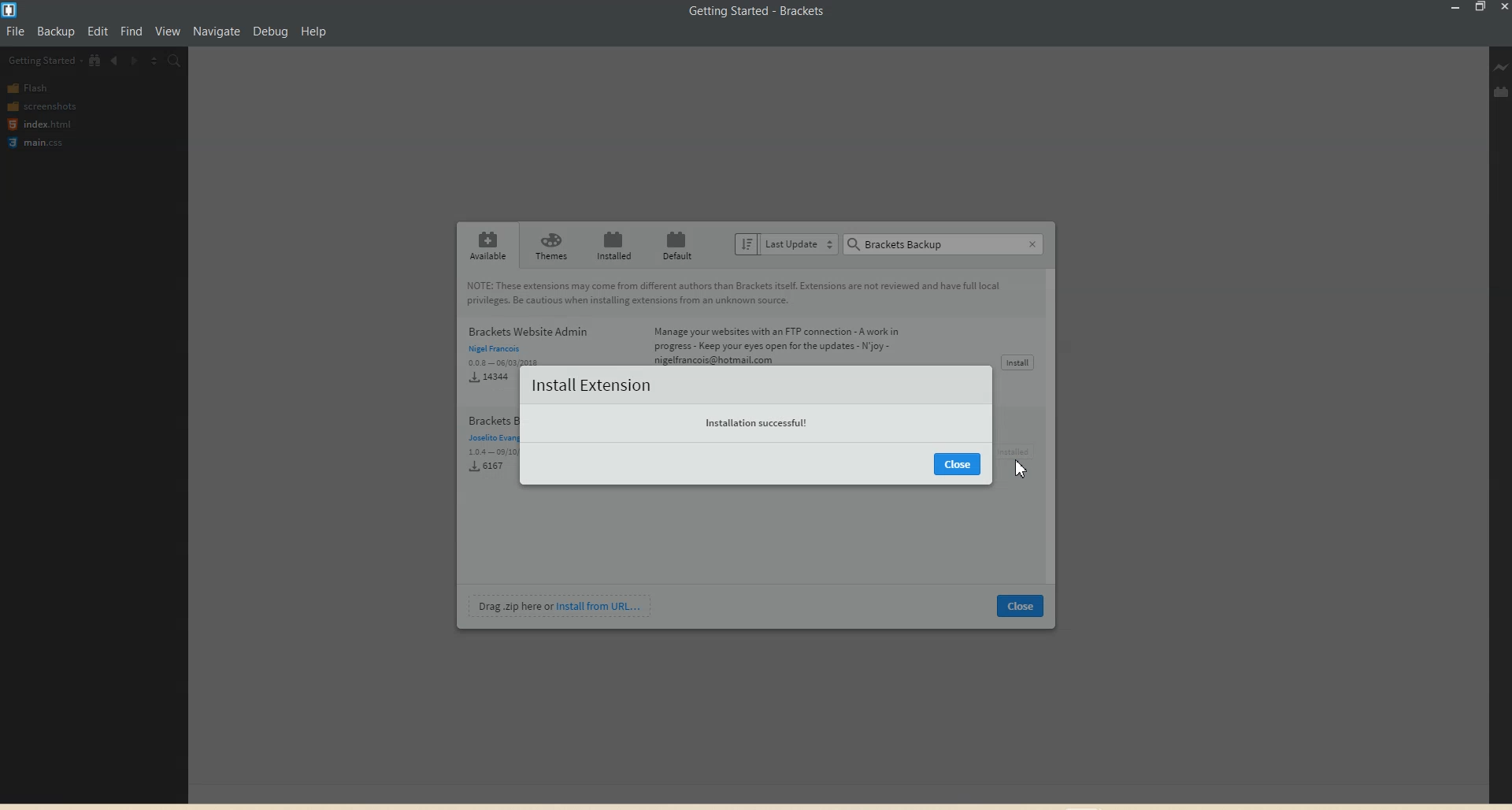  I want to click on index.html, so click(39, 124).